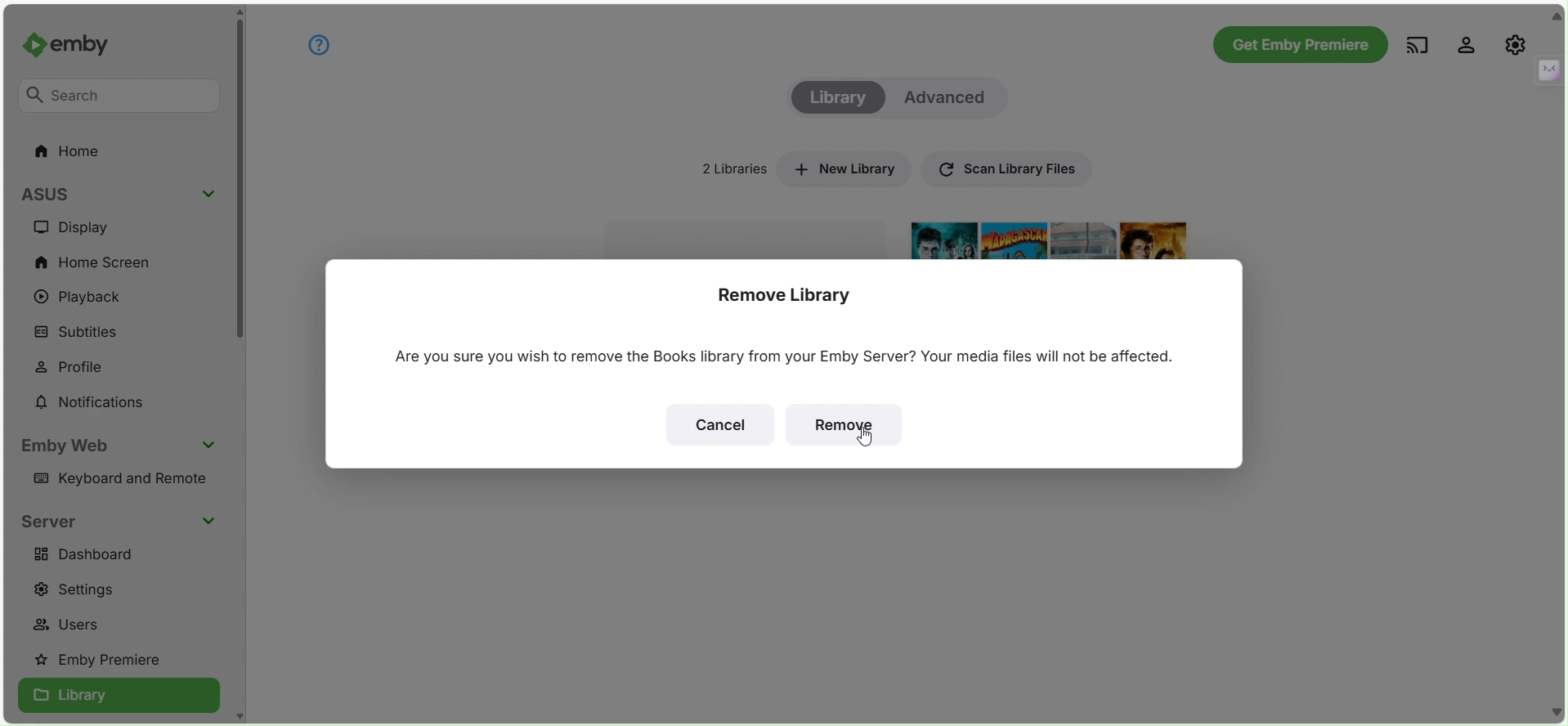 The image size is (1568, 726). What do you see at coordinates (120, 97) in the screenshot?
I see `Search Bar` at bounding box center [120, 97].